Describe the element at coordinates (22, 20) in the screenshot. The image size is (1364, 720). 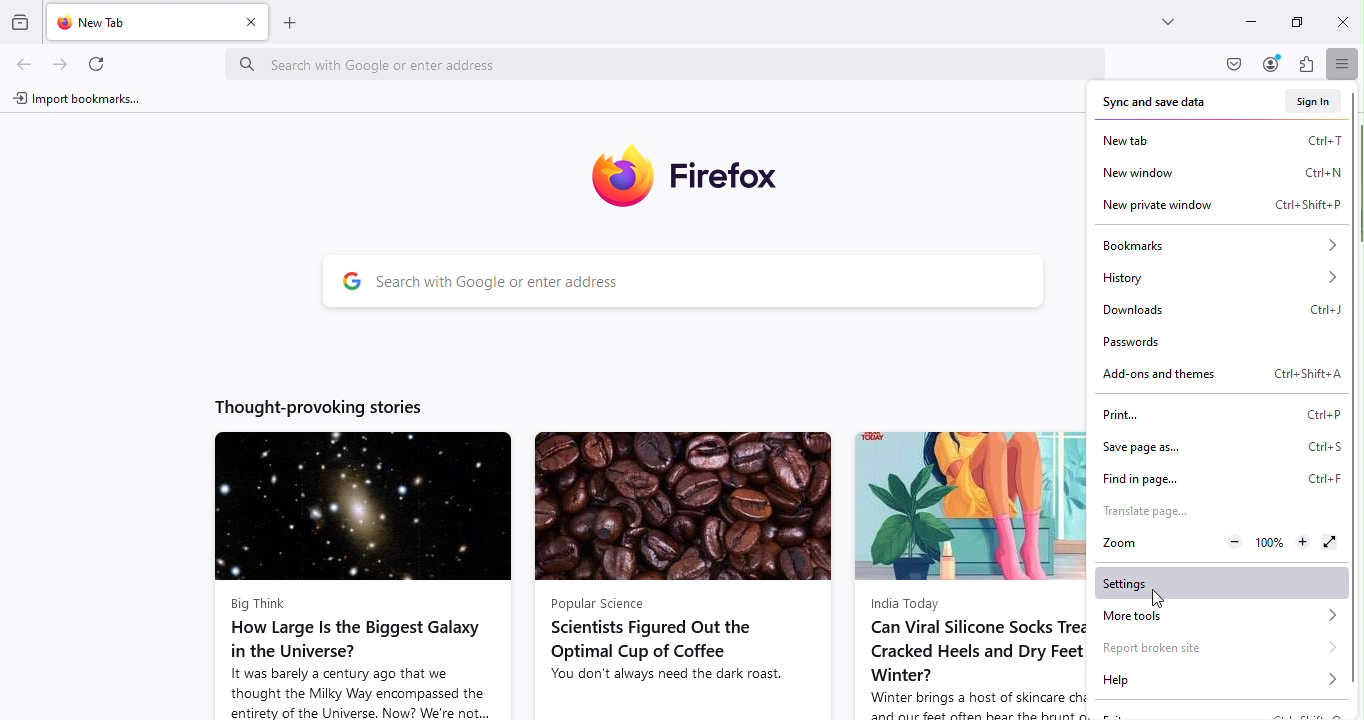
I see `View recent browsing across windows and devices` at that location.